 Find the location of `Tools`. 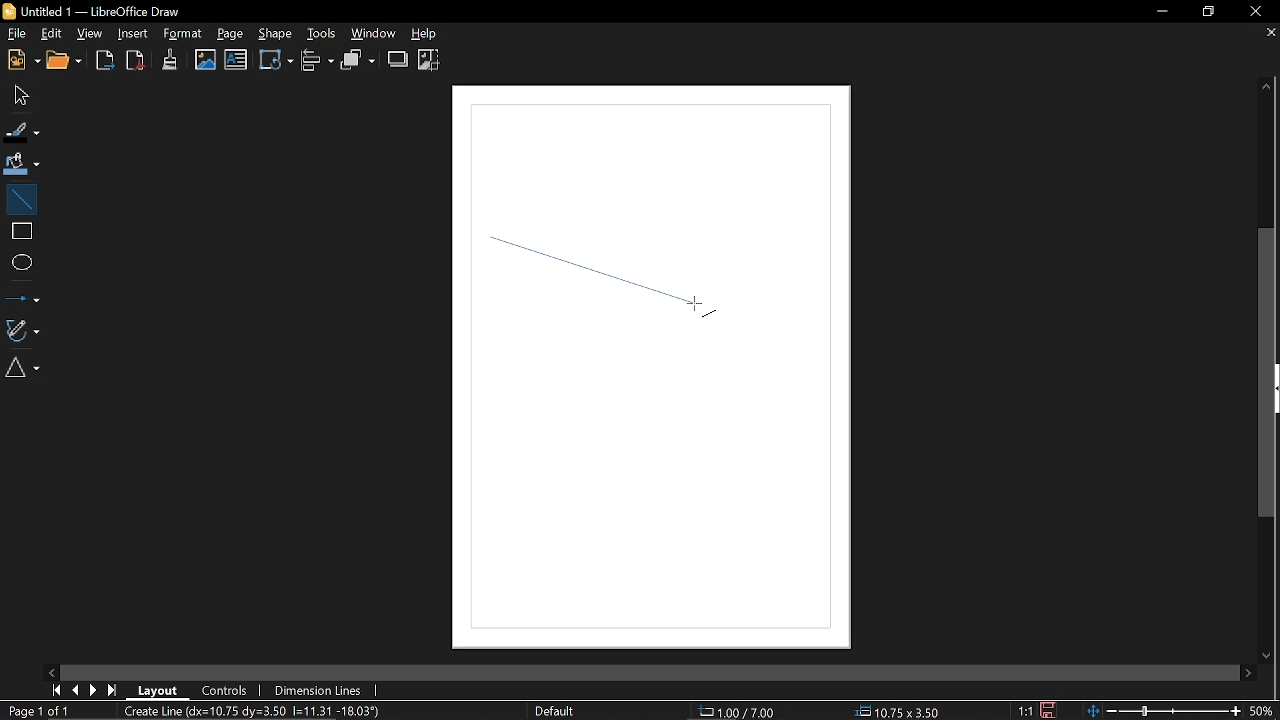

Tools is located at coordinates (321, 34).